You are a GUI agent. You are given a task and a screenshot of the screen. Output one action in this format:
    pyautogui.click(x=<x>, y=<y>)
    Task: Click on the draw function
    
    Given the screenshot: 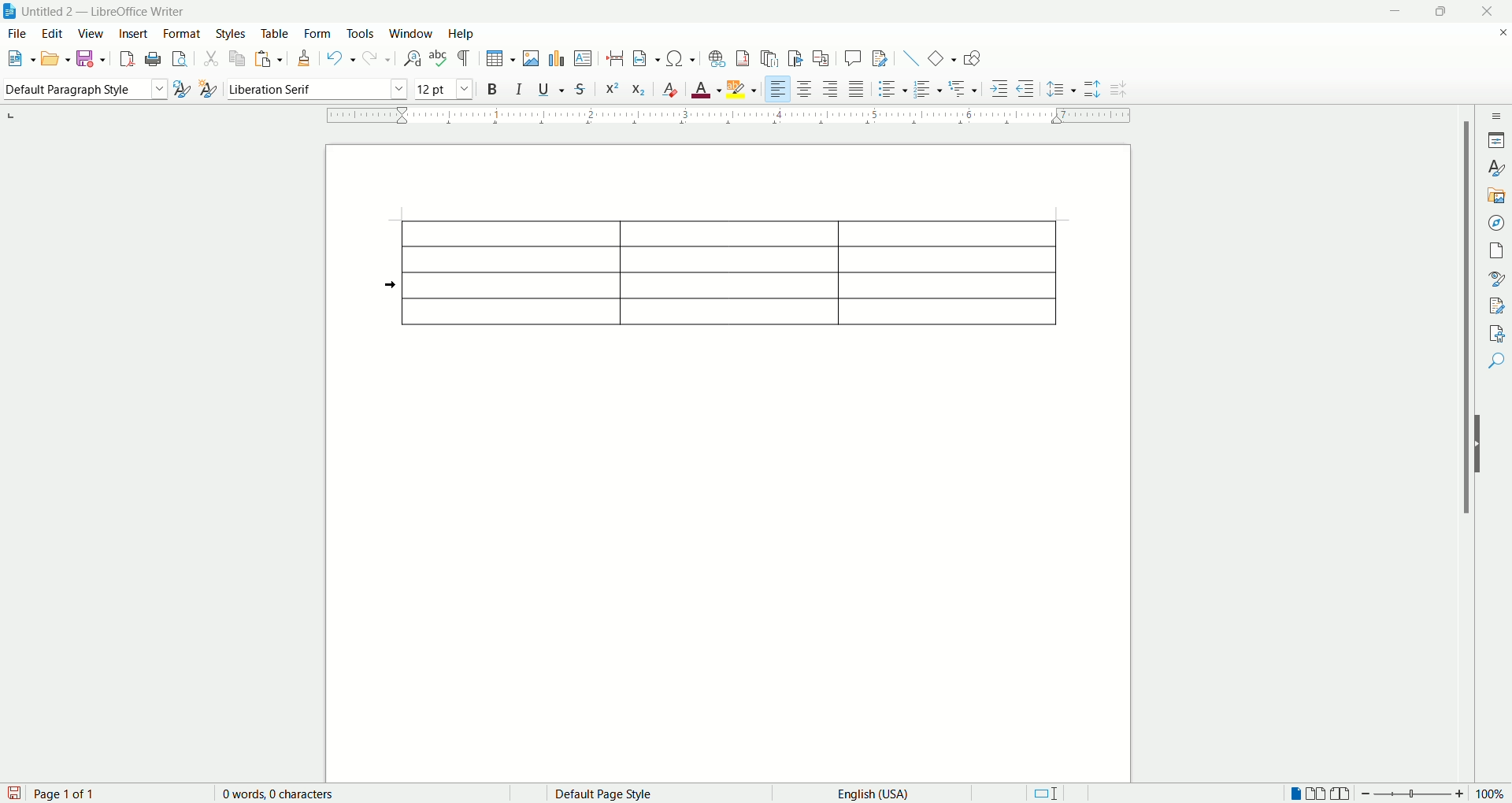 What is the action you would take?
    pyautogui.click(x=971, y=57)
    